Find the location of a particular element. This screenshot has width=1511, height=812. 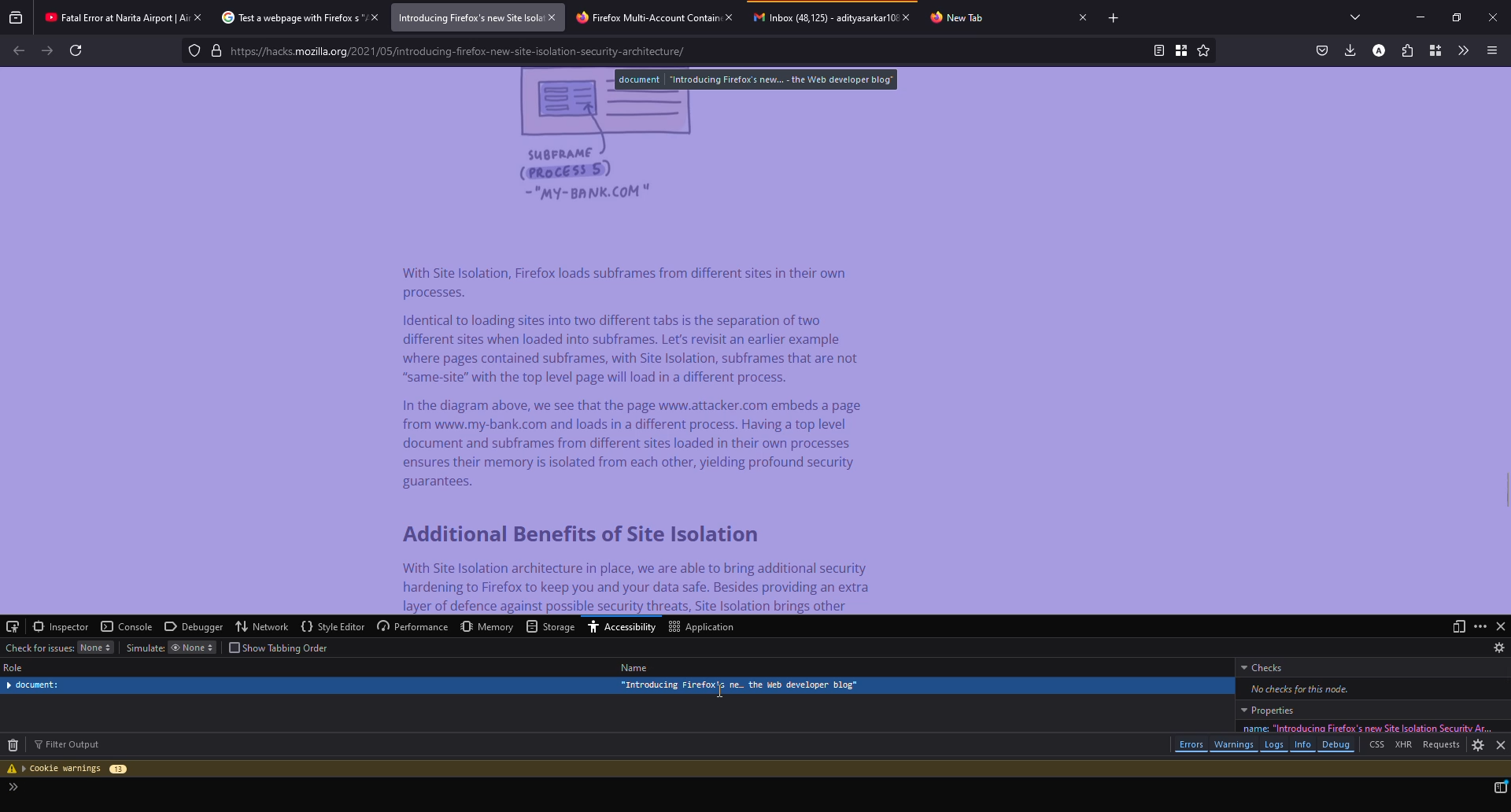

errors is located at coordinates (1191, 745).